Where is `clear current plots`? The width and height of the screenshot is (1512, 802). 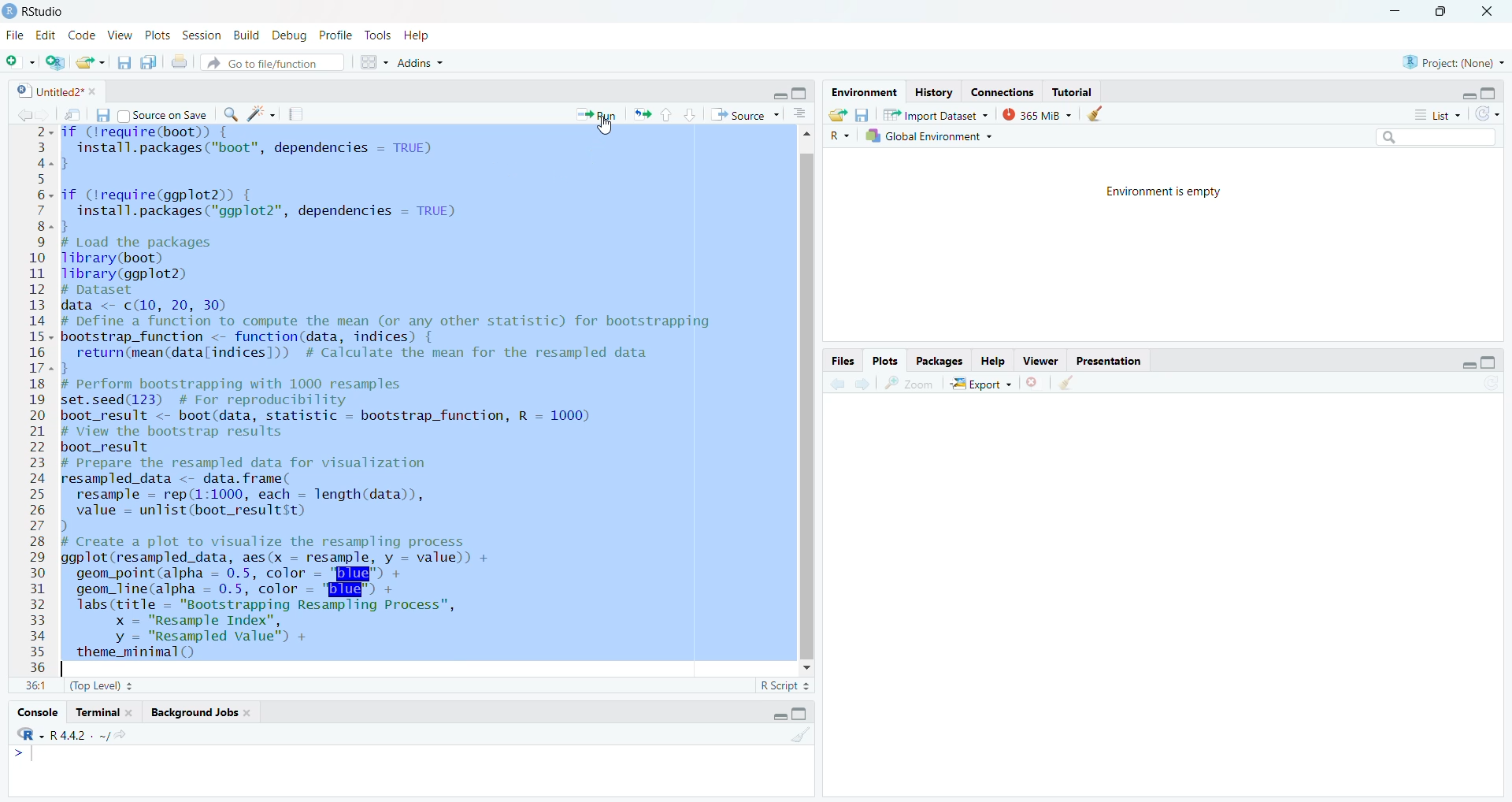
clear current plots is located at coordinates (1036, 382).